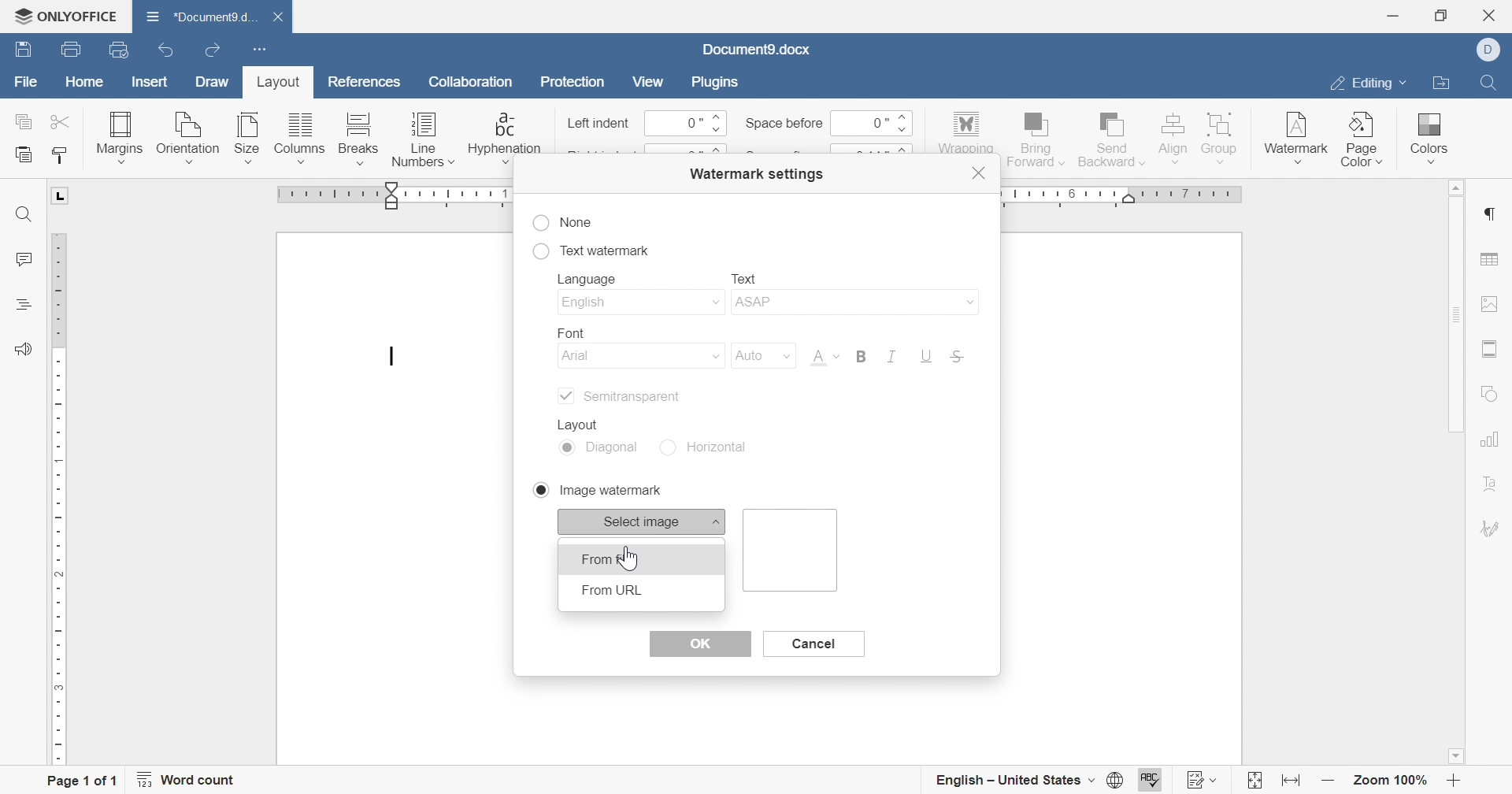  Describe the element at coordinates (59, 499) in the screenshot. I see `ruler` at that location.